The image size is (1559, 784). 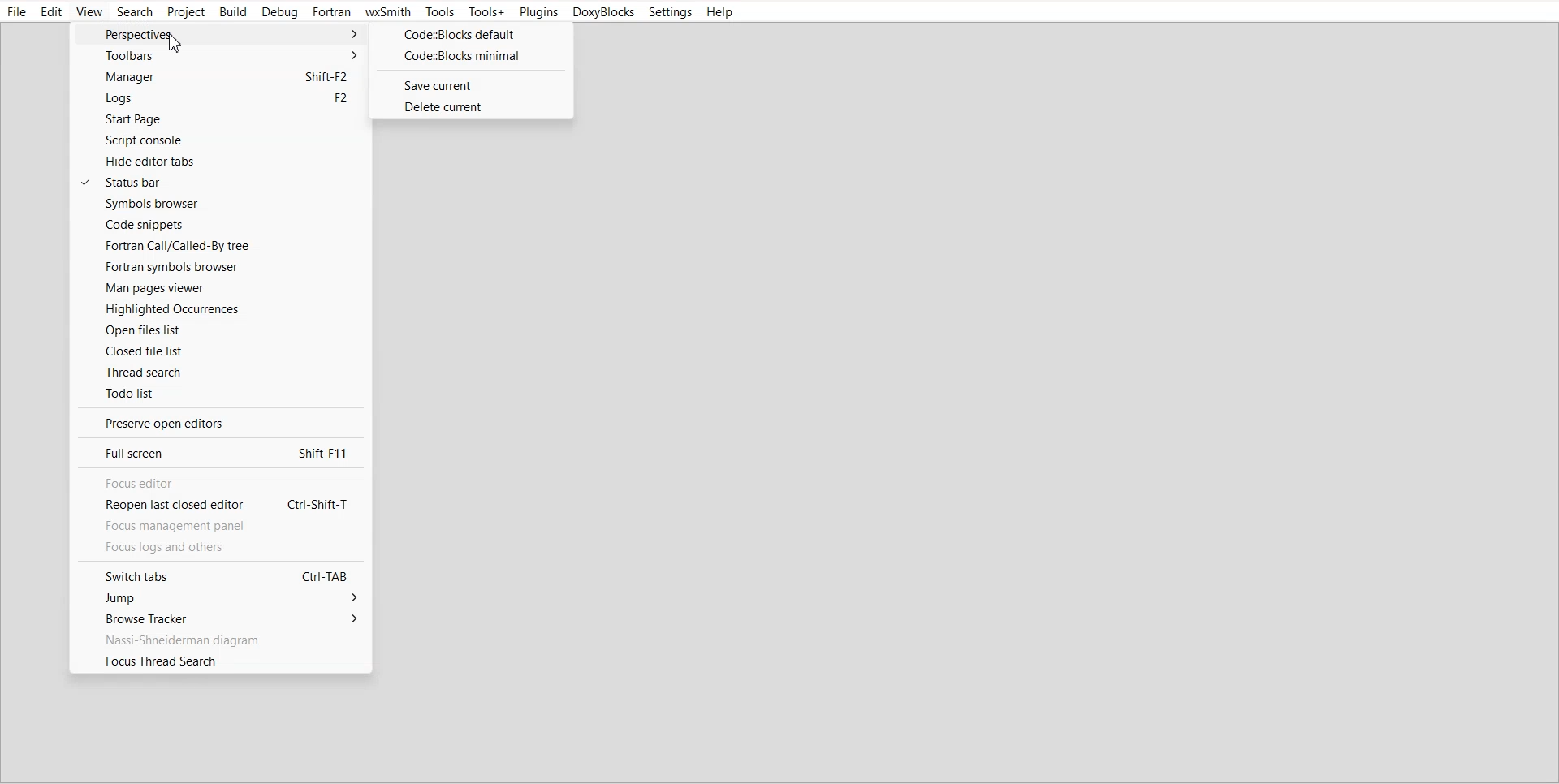 I want to click on Perspective, so click(x=219, y=33).